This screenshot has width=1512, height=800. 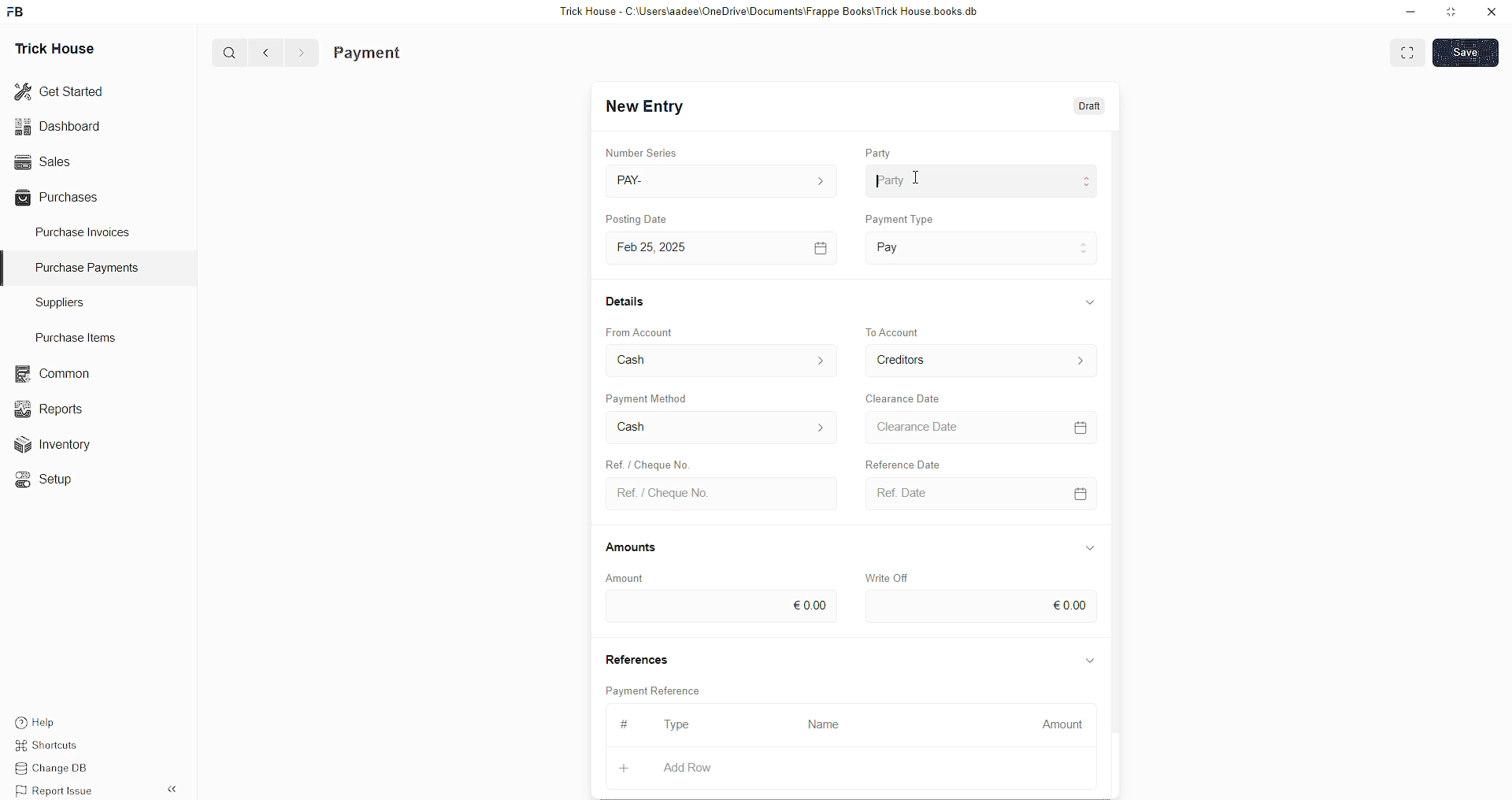 What do you see at coordinates (55, 374) in the screenshot?
I see `common` at bounding box center [55, 374].